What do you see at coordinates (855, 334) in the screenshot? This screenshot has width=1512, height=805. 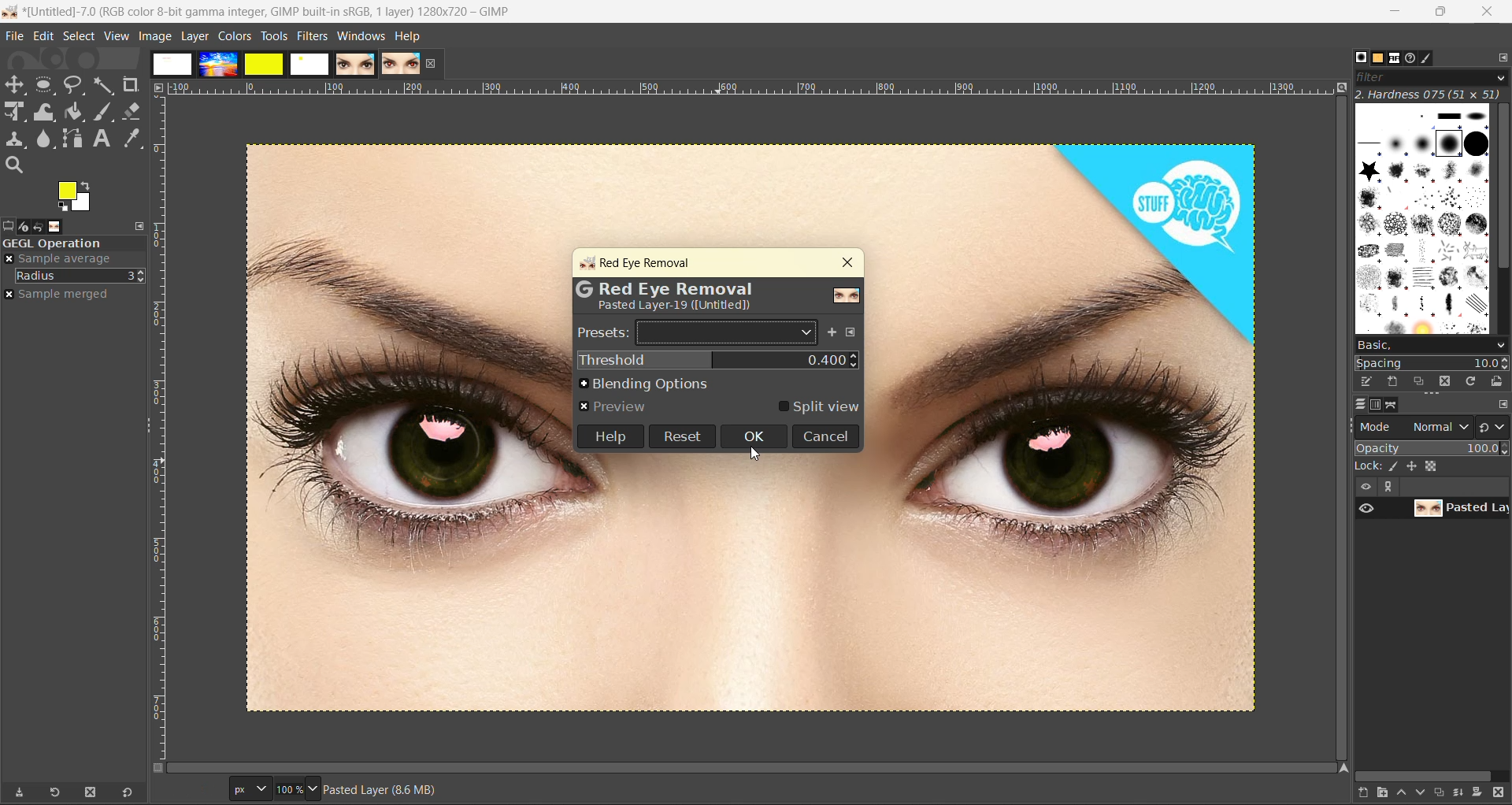 I see `configure` at bounding box center [855, 334].